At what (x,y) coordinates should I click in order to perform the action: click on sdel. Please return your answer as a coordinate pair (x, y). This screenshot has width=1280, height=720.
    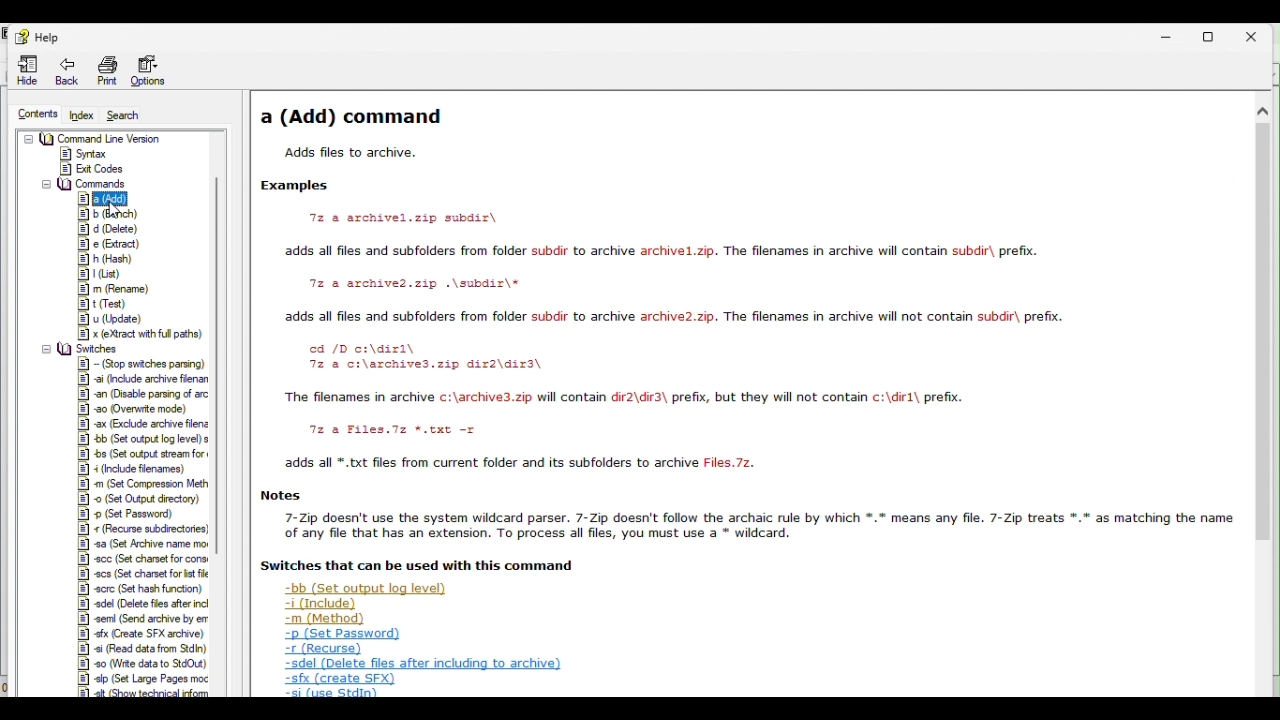
    Looking at the image, I should click on (419, 664).